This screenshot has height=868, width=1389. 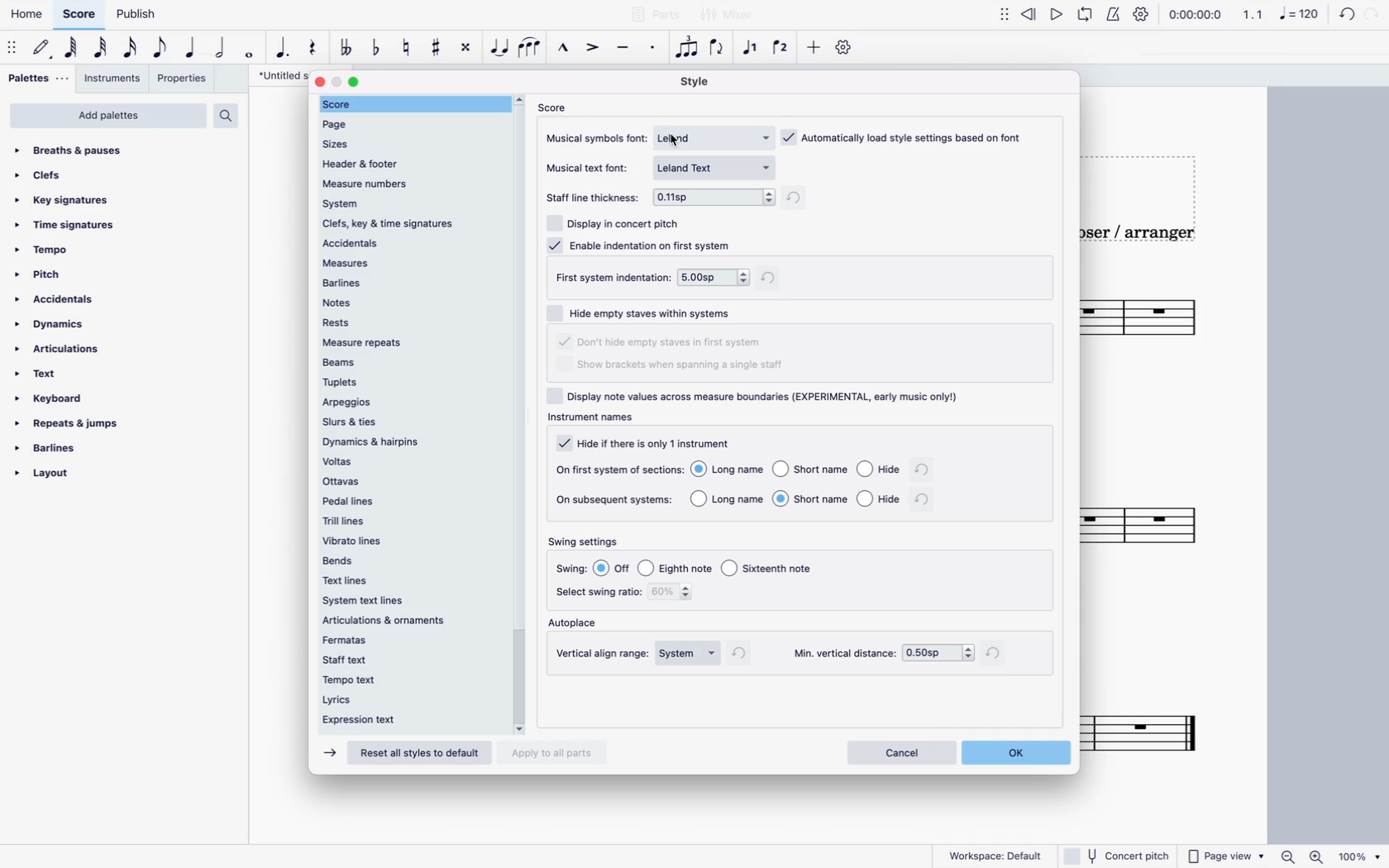 What do you see at coordinates (411, 342) in the screenshot?
I see `measure repeats` at bounding box center [411, 342].